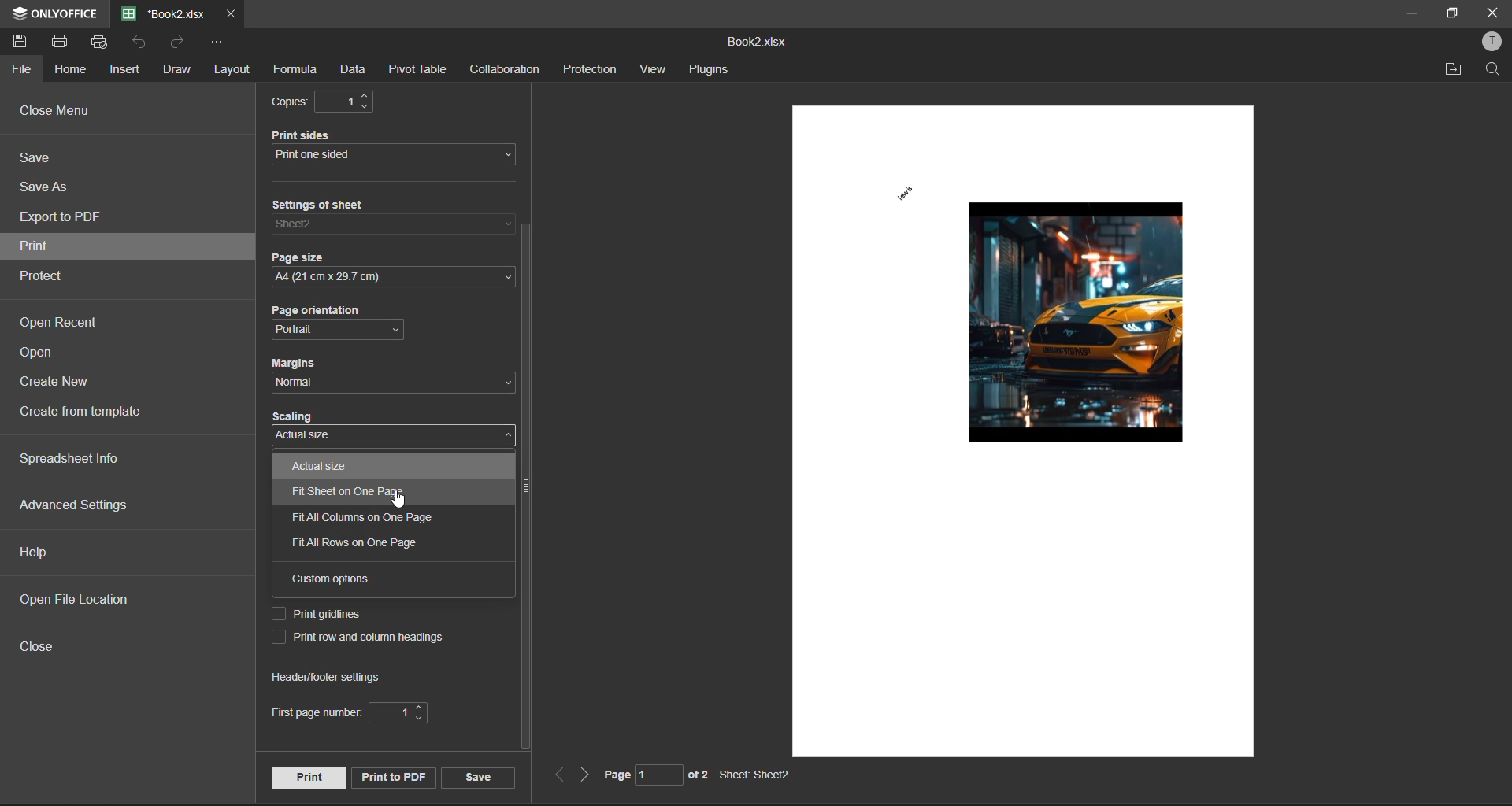 This screenshot has height=806, width=1512. Describe the element at coordinates (656, 69) in the screenshot. I see `view` at that location.